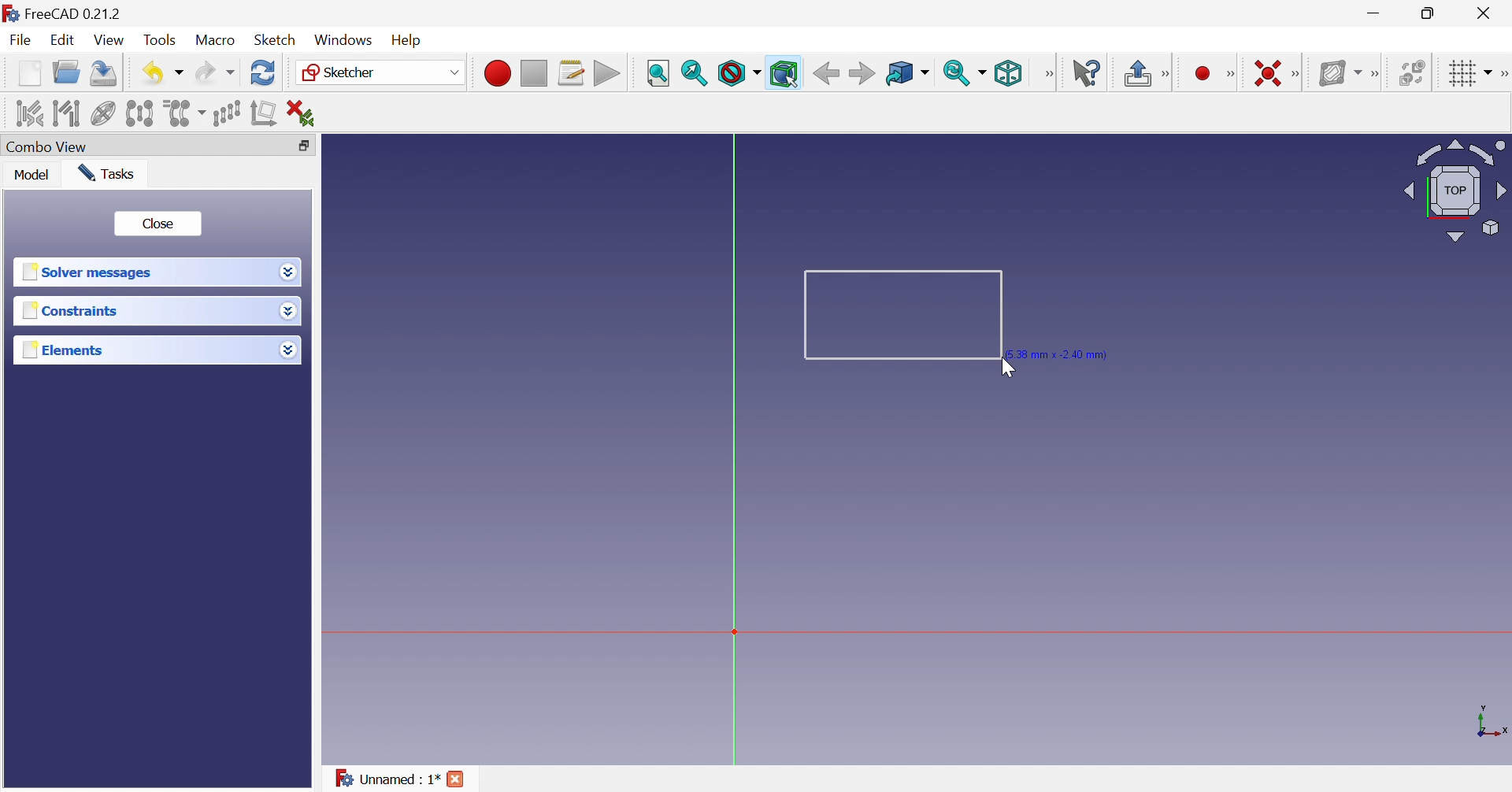 The height and width of the screenshot is (792, 1512). Describe the element at coordinates (67, 113) in the screenshot. I see `Select associated geometry` at that location.